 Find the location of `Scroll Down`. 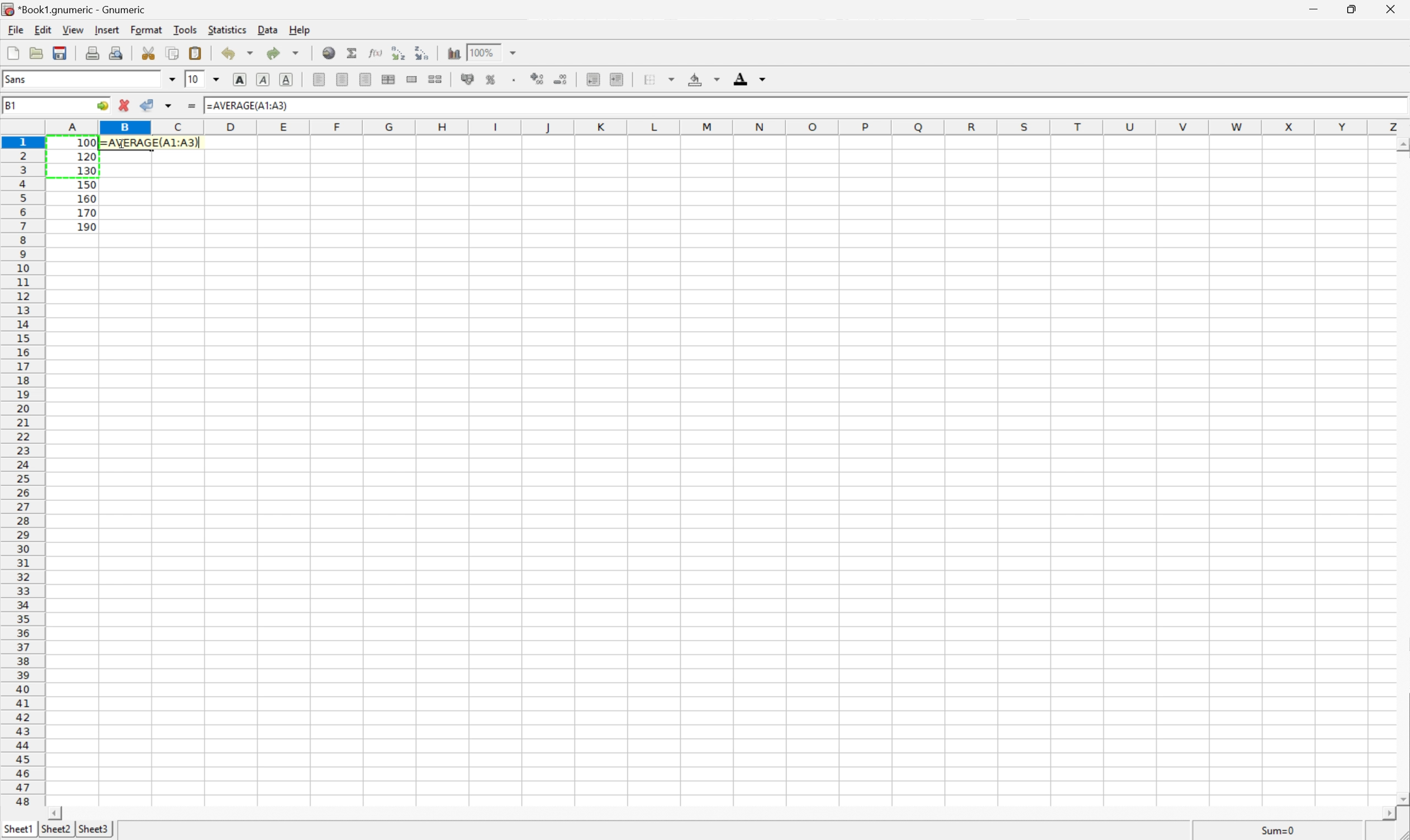

Scroll Down is located at coordinates (1401, 797).